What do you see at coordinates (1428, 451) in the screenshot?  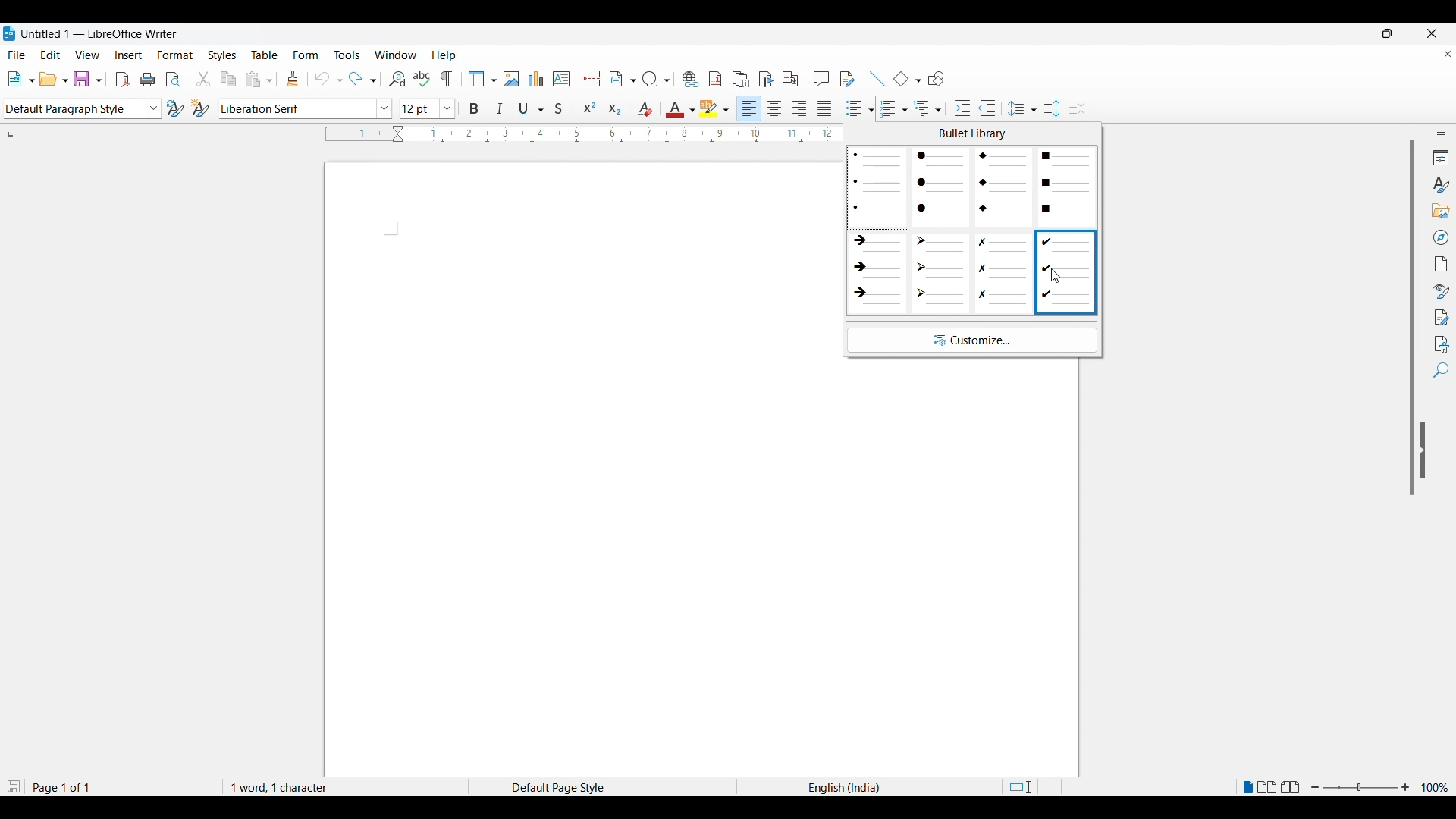 I see `collapse` at bounding box center [1428, 451].